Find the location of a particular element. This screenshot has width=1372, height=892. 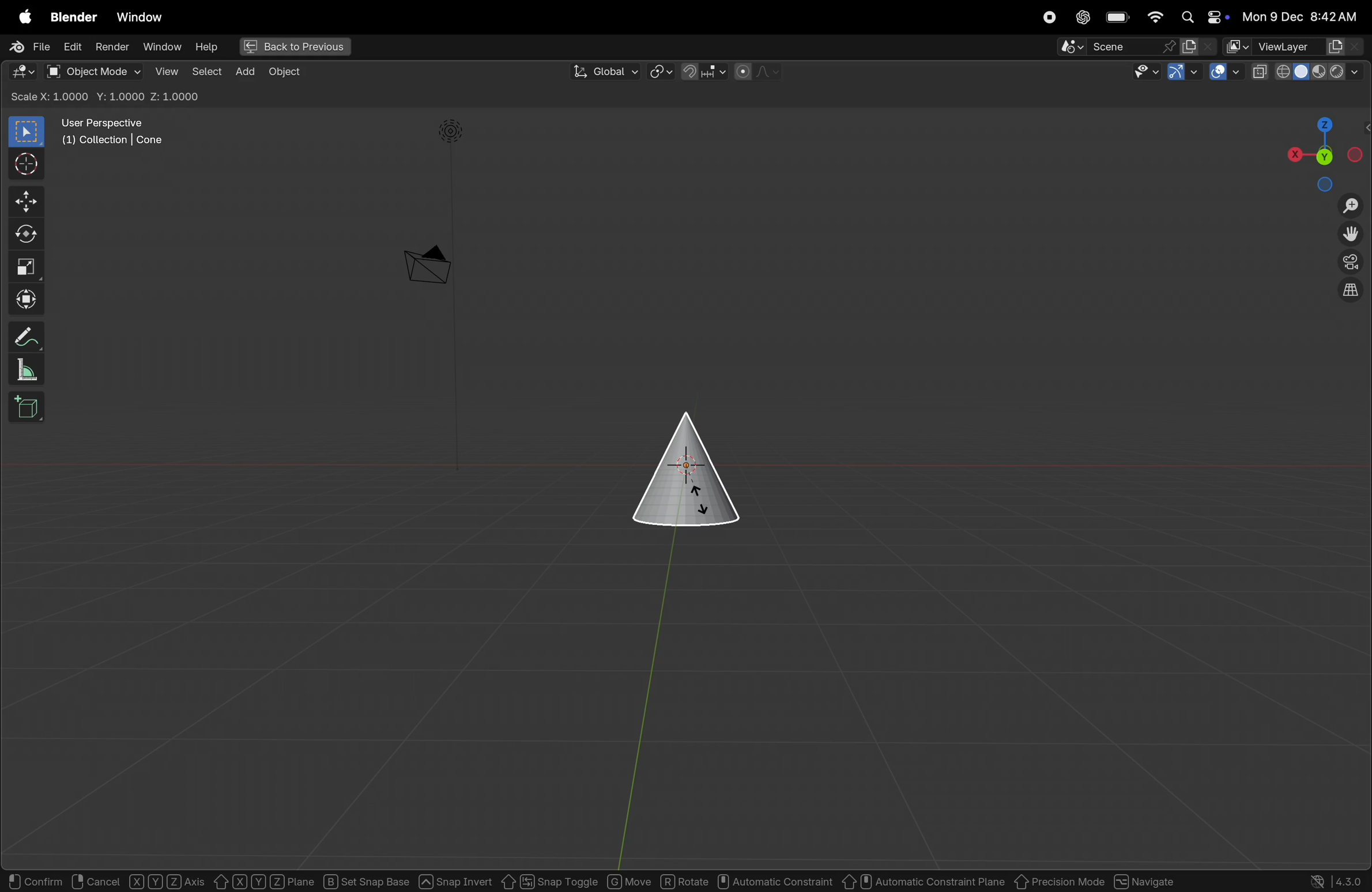

cursor is located at coordinates (703, 499).